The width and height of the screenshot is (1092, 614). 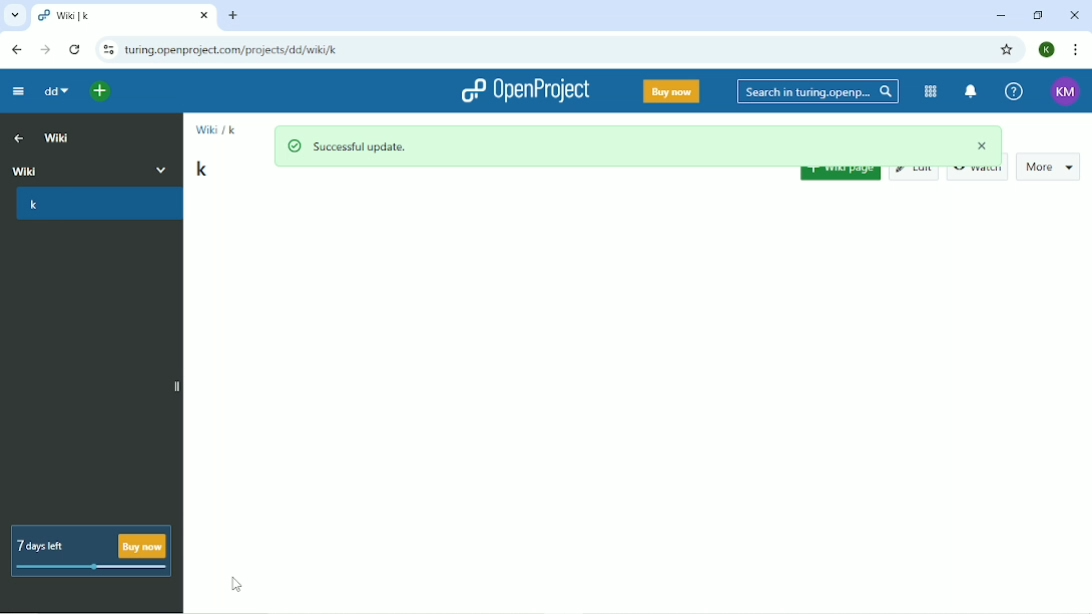 What do you see at coordinates (203, 13) in the screenshot?
I see `close` at bounding box center [203, 13].